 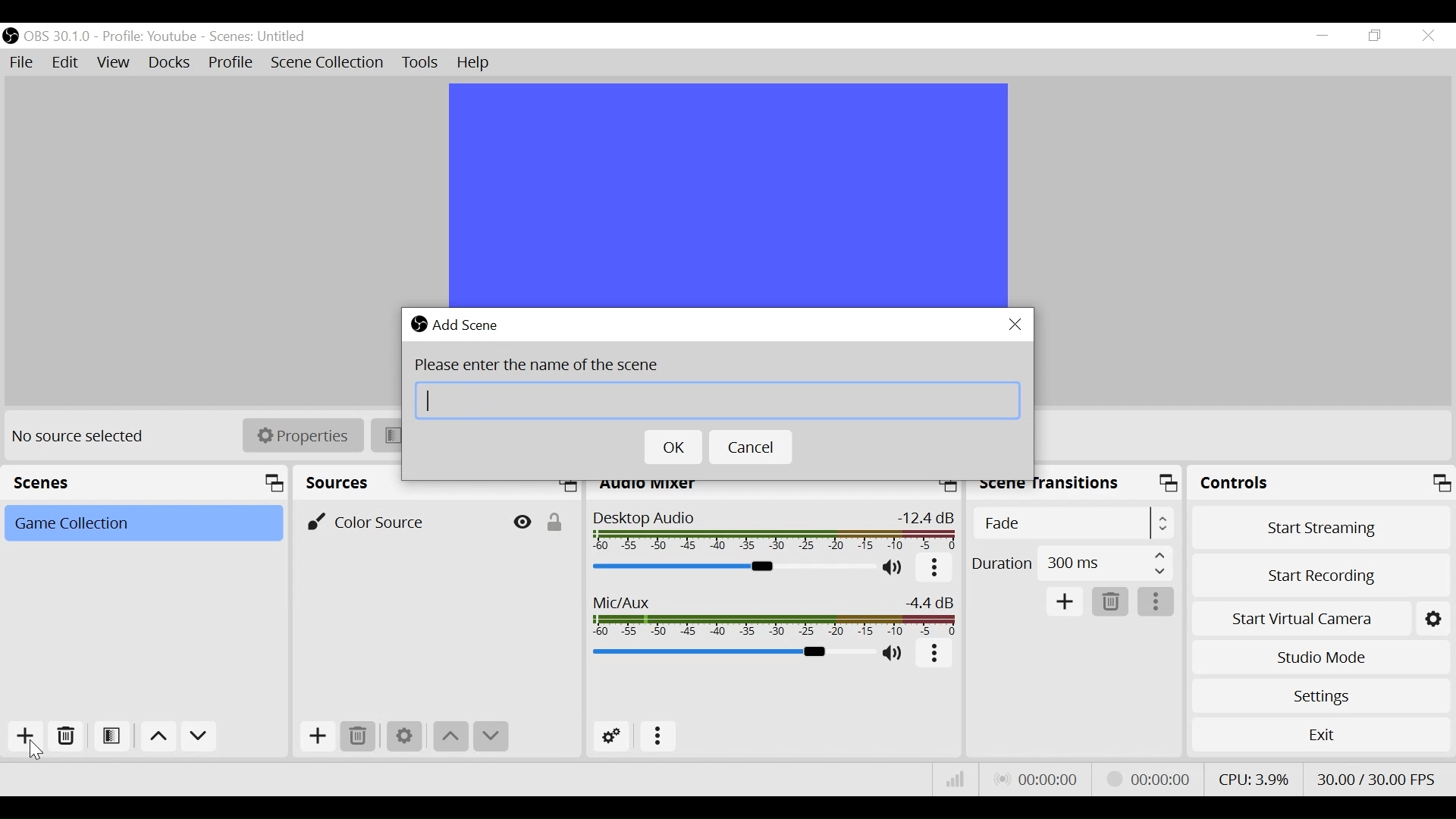 What do you see at coordinates (449, 737) in the screenshot?
I see `move up` at bounding box center [449, 737].